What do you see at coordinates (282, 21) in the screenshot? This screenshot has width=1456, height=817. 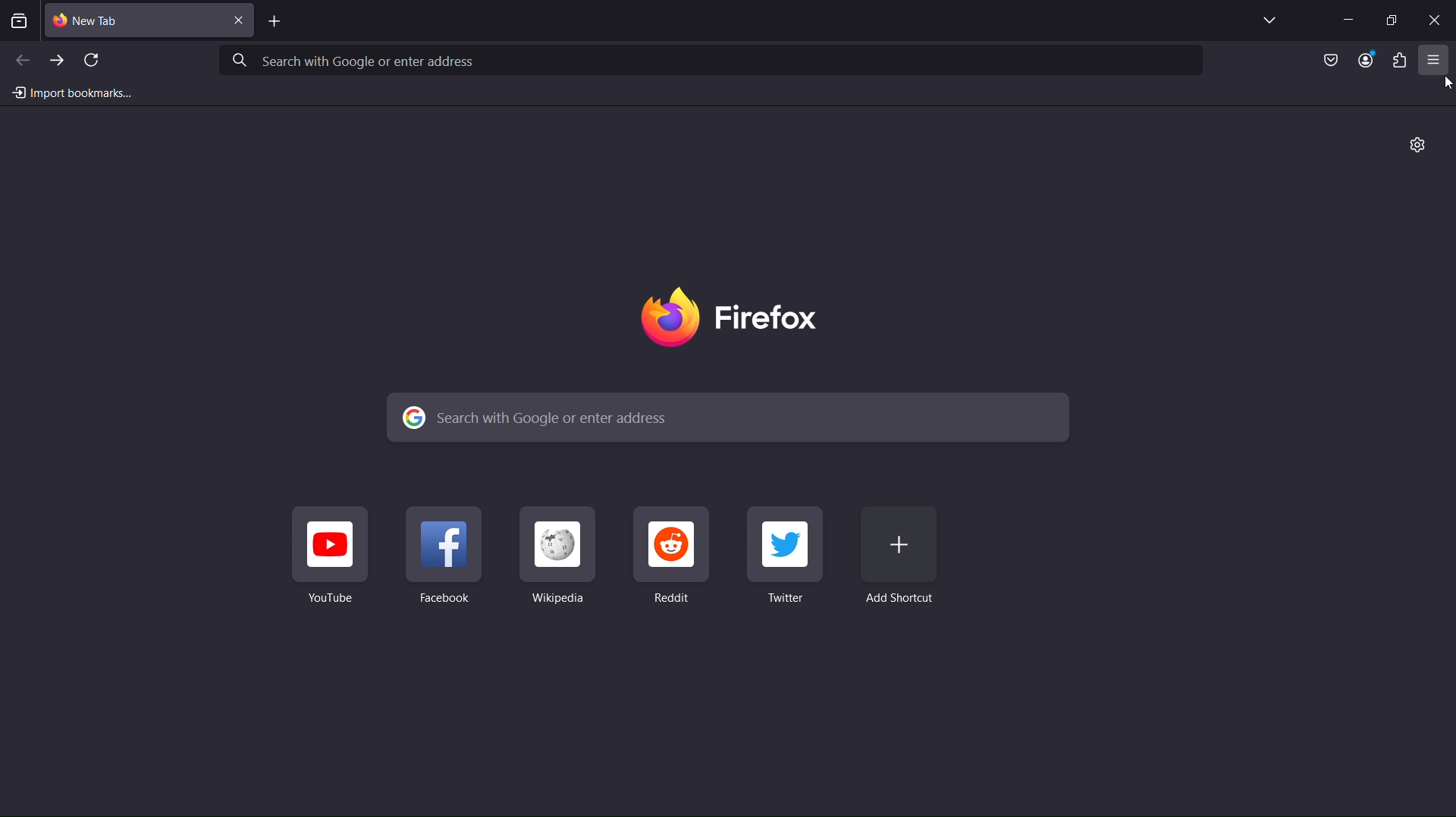 I see `Add Tab` at bounding box center [282, 21].